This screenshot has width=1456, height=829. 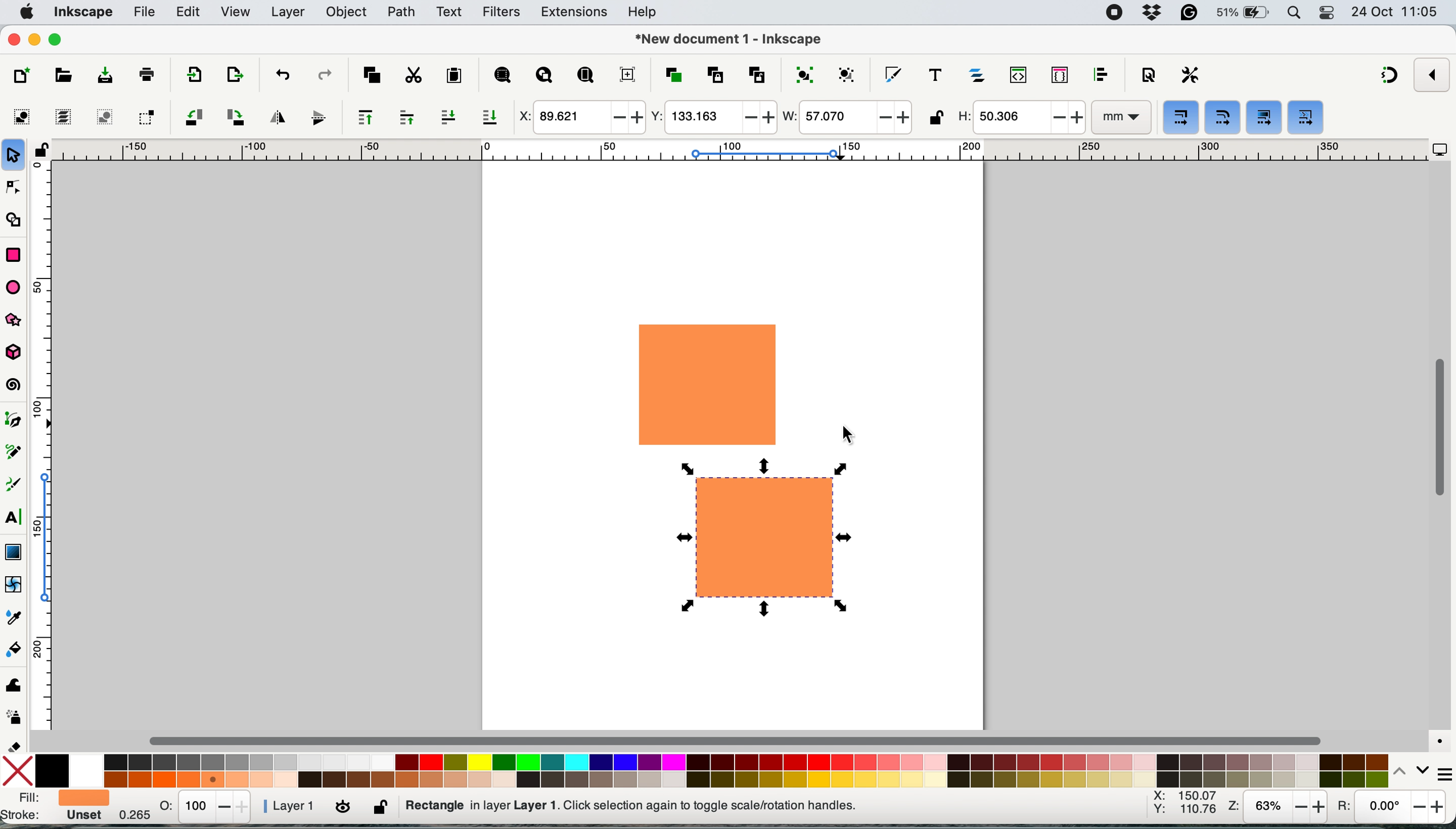 I want to click on raise selection to top, so click(x=360, y=117).